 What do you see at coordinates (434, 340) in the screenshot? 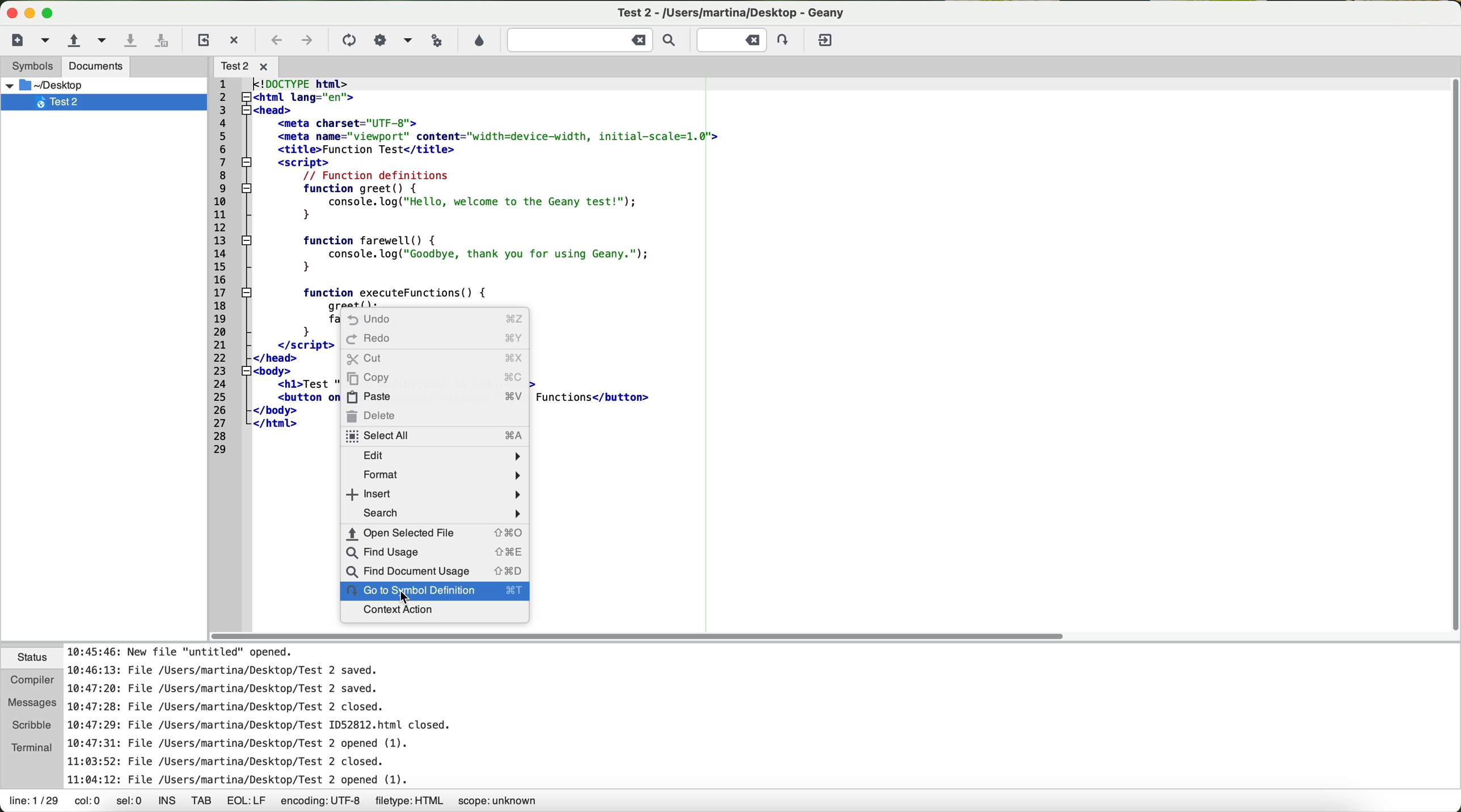
I see `redo` at bounding box center [434, 340].